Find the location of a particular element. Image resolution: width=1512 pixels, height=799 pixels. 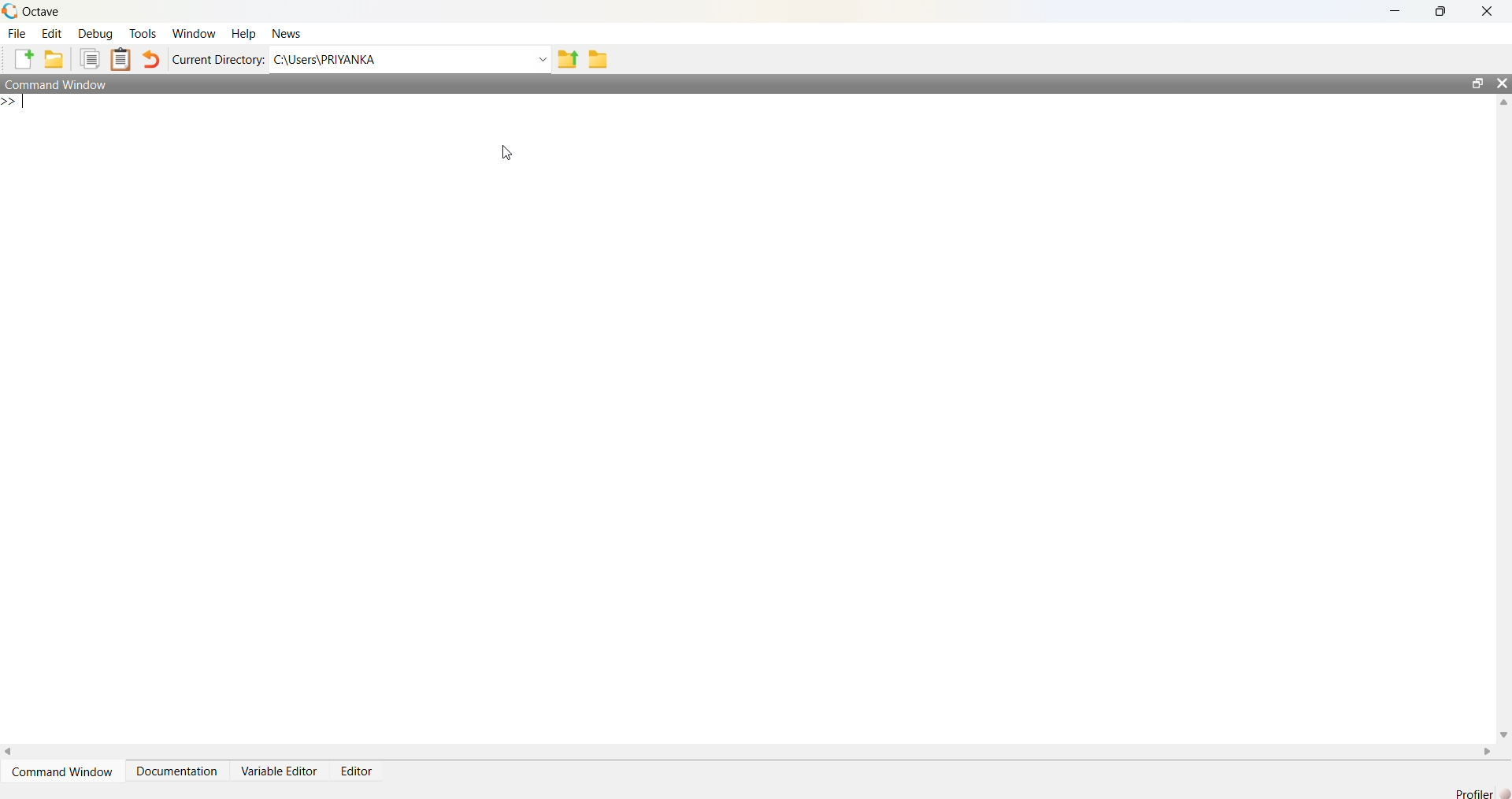

One directory up is located at coordinates (568, 59).